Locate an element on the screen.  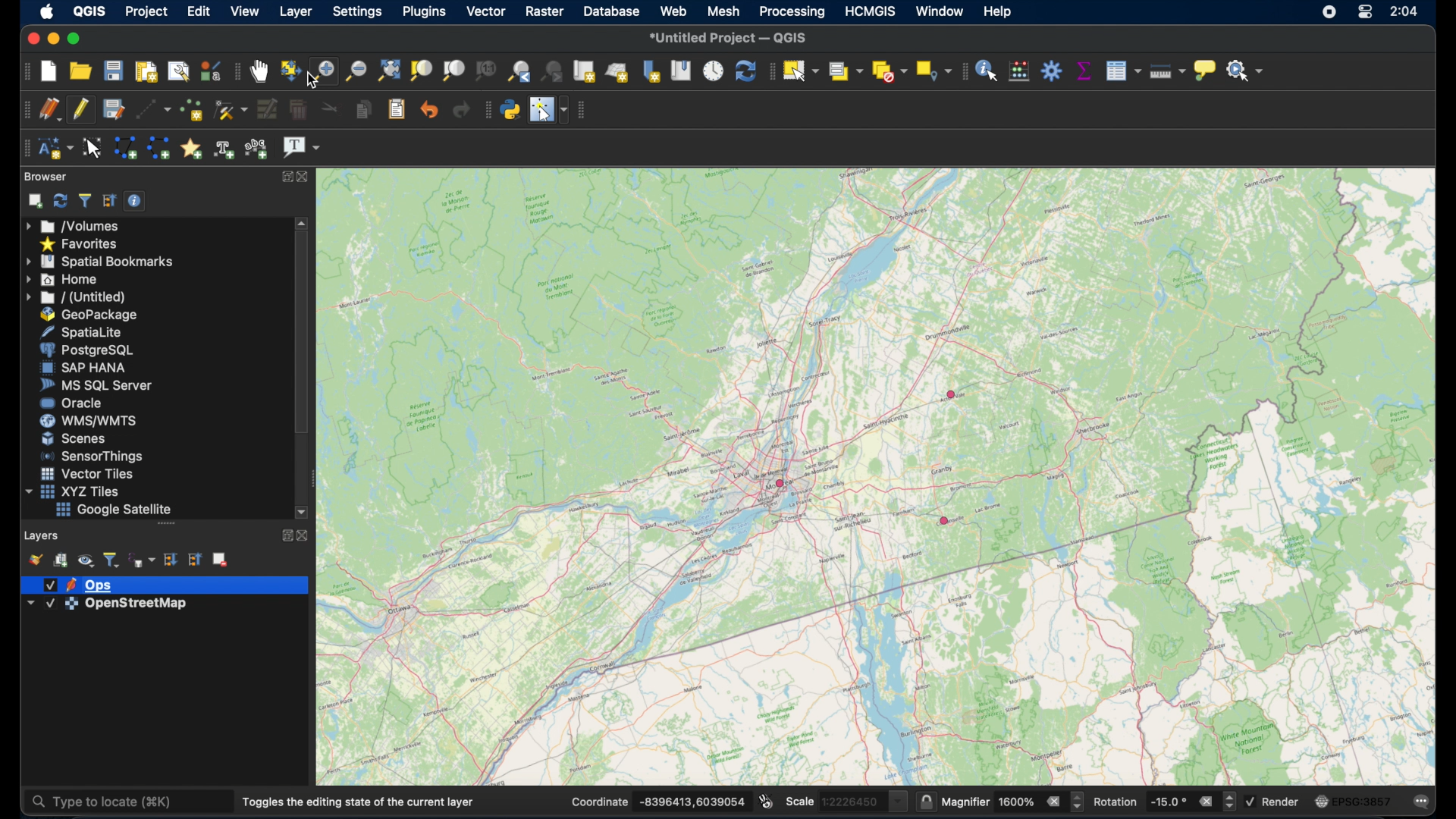
current edits is located at coordinates (49, 109).